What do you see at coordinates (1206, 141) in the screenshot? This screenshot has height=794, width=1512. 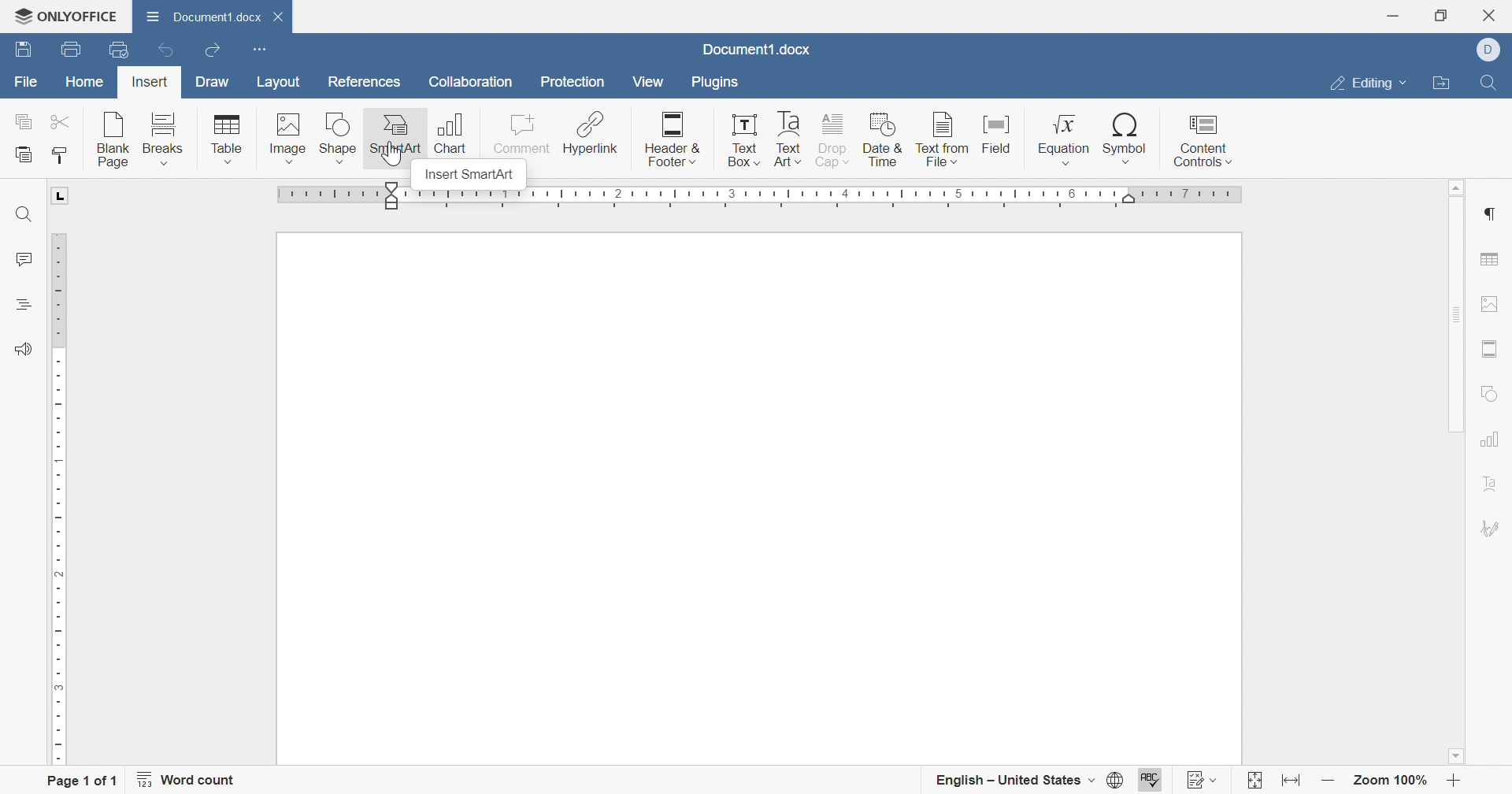 I see `Content controls` at bounding box center [1206, 141].